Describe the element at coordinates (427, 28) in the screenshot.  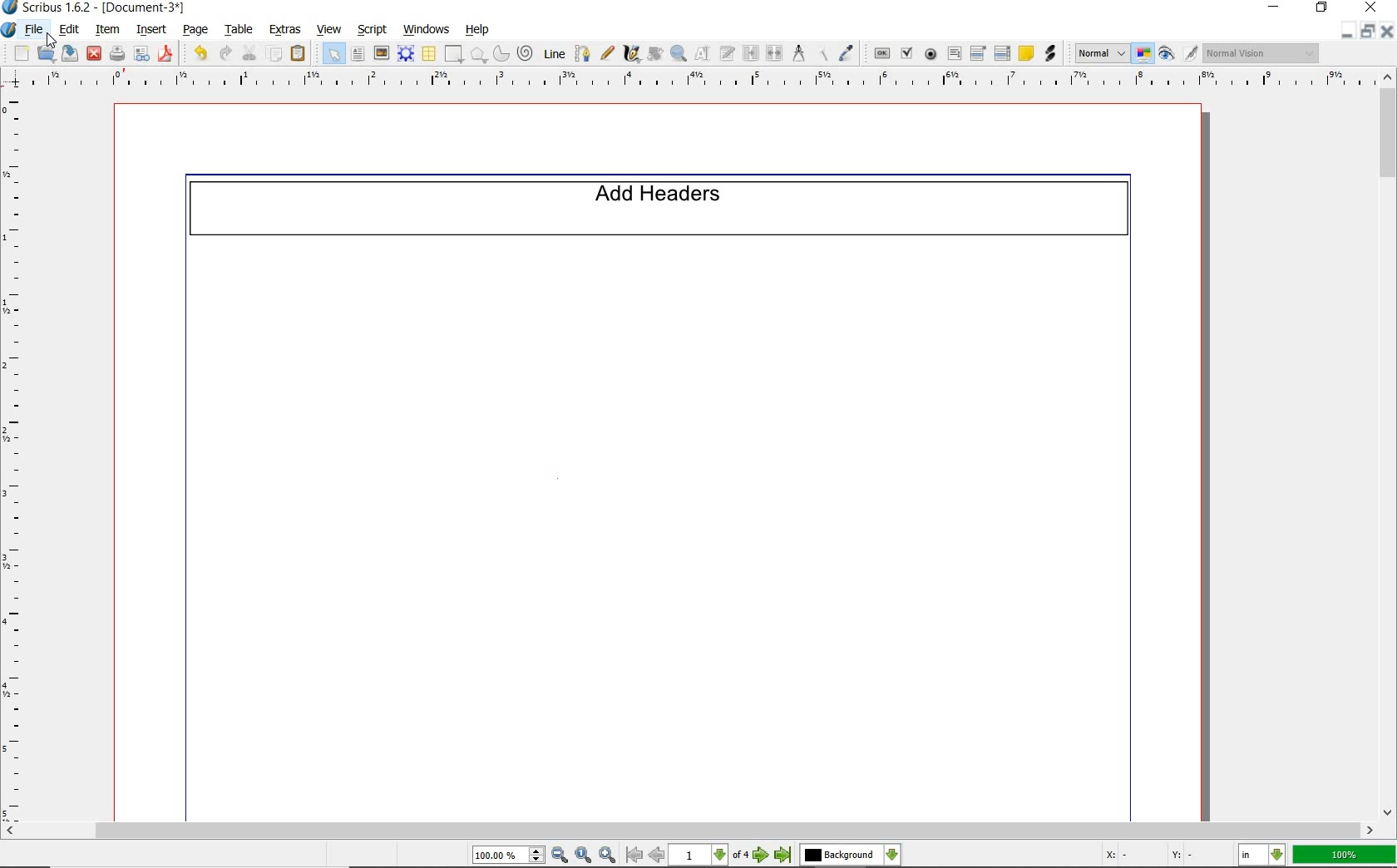
I see `windows` at that location.